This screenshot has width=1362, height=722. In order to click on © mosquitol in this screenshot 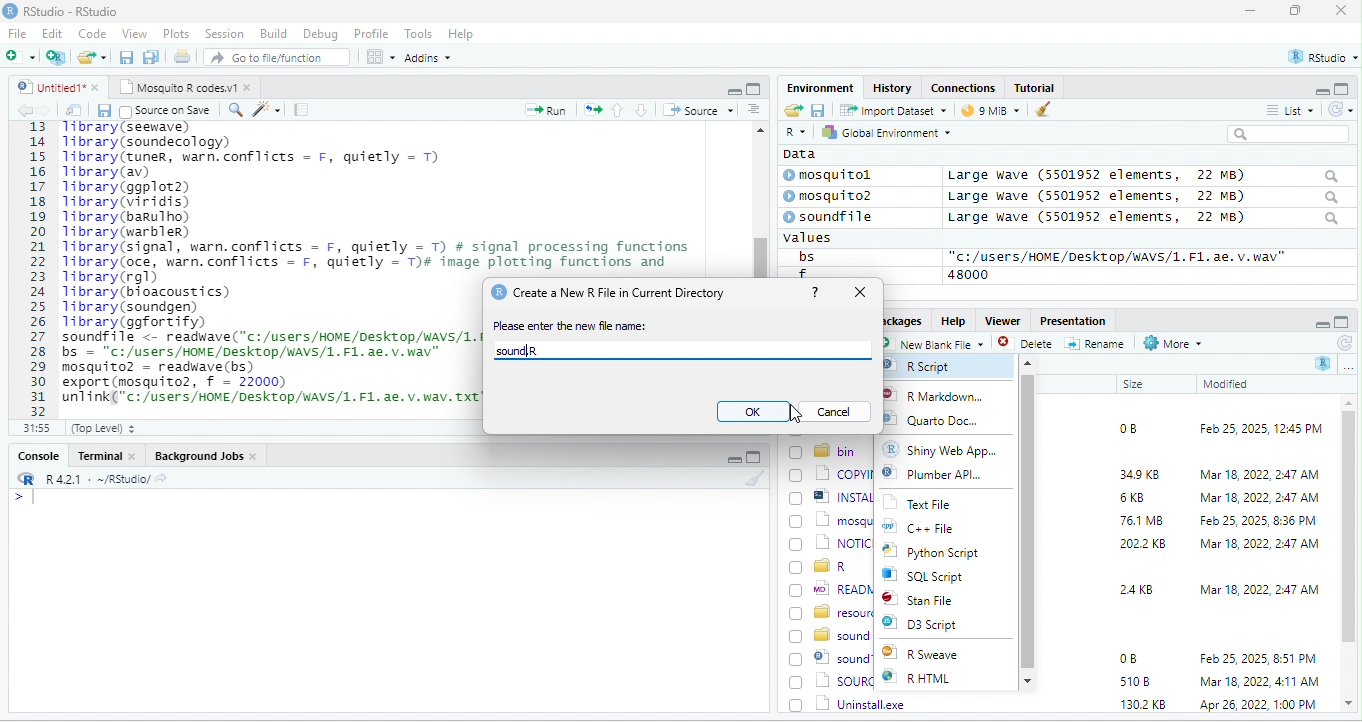, I will do `click(842, 175)`.